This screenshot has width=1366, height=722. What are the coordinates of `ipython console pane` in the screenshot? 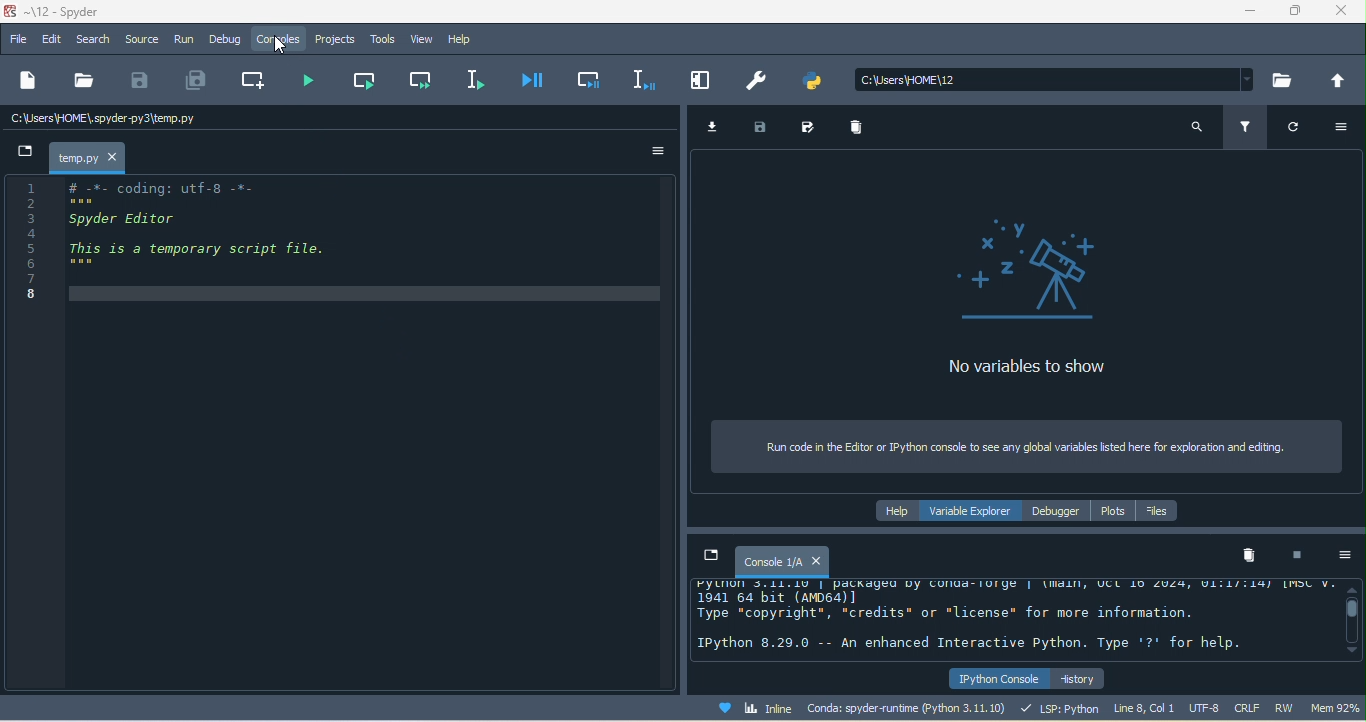 It's located at (1012, 619).